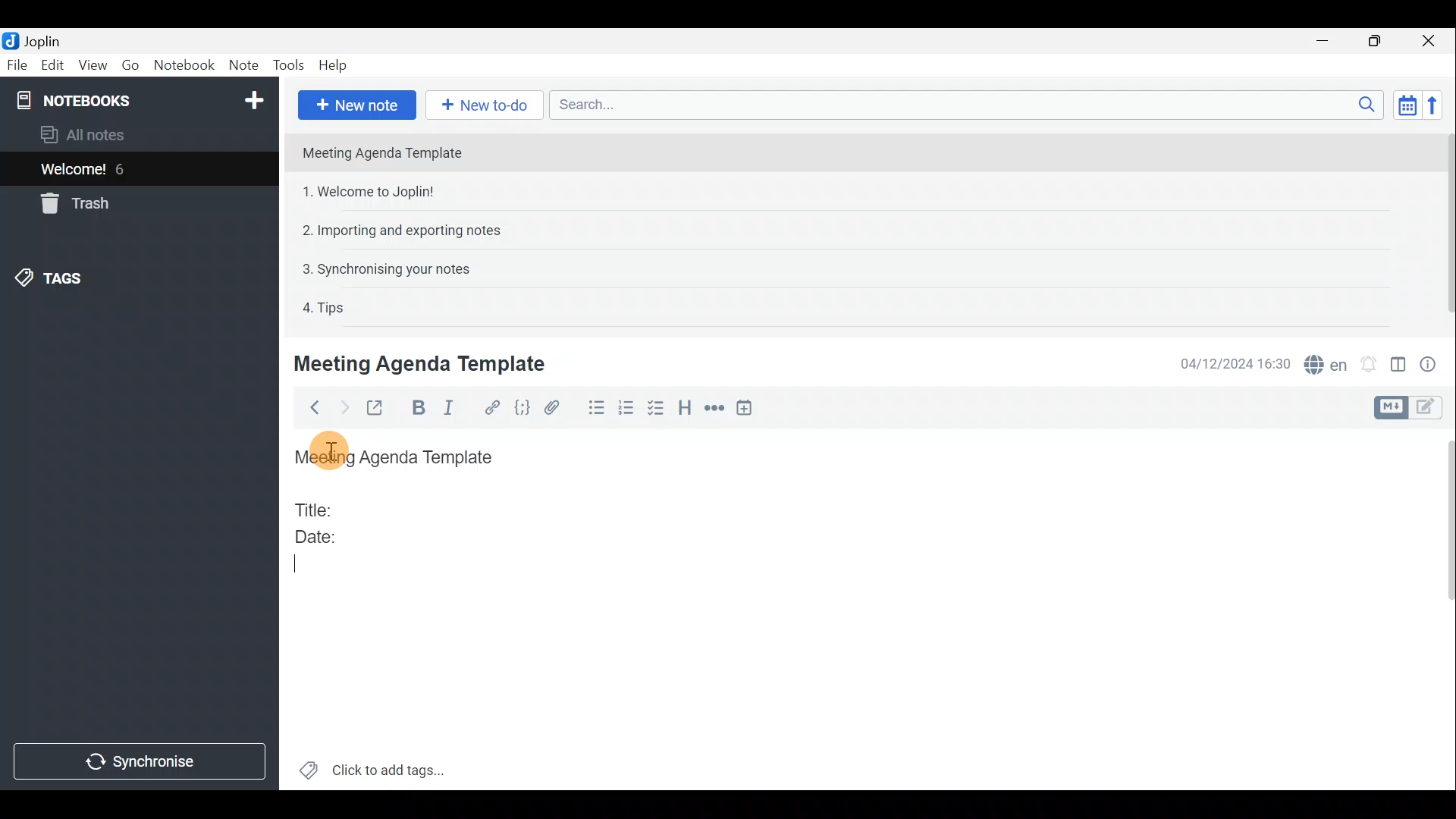  Describe the element at coordinates (306, 570) in the screenshot. I see `Cursor` at that location.